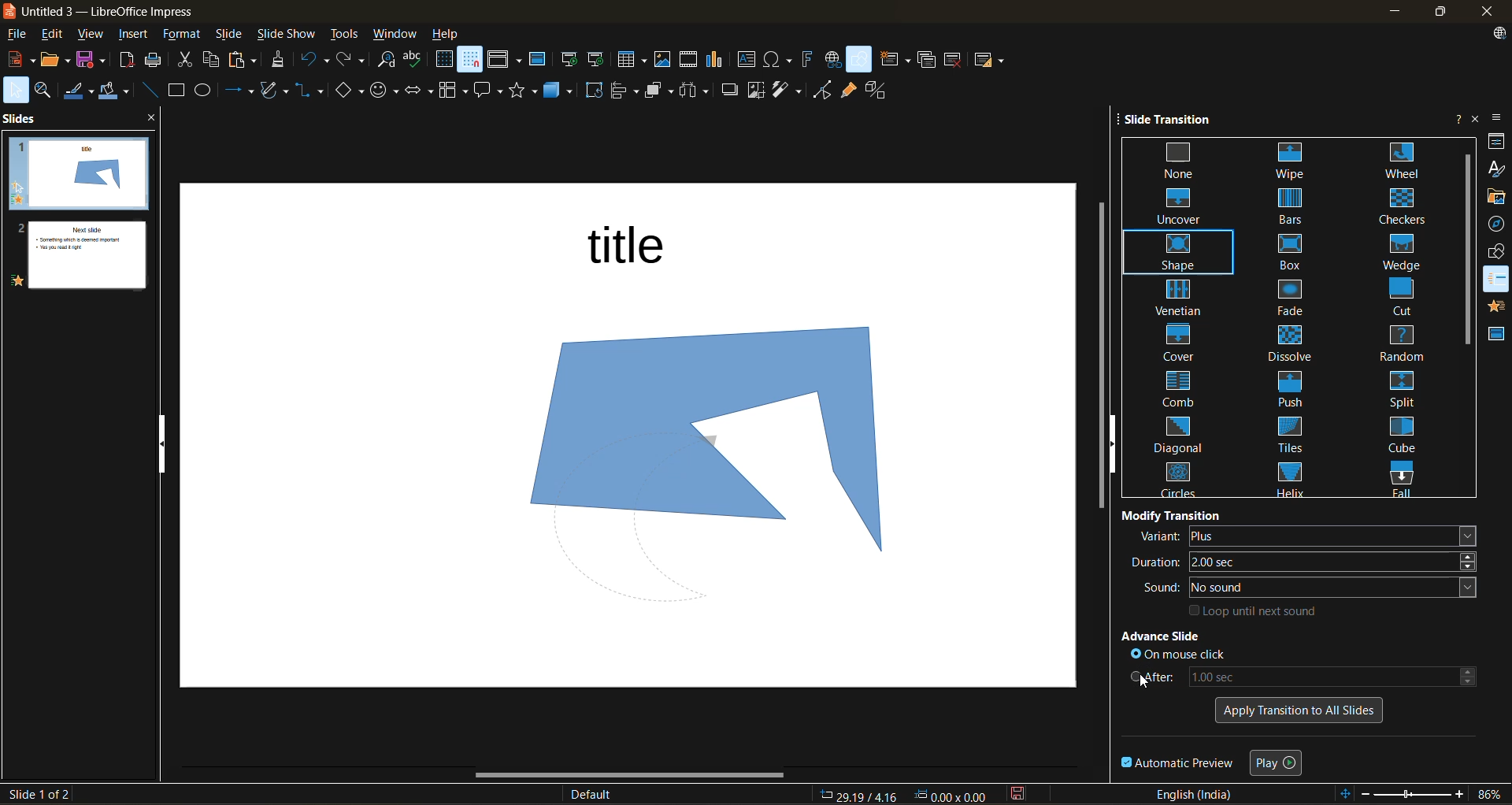 The height and width of the screenshot is (805, 1512). I want to click on stars and banners, so click(528, 91).